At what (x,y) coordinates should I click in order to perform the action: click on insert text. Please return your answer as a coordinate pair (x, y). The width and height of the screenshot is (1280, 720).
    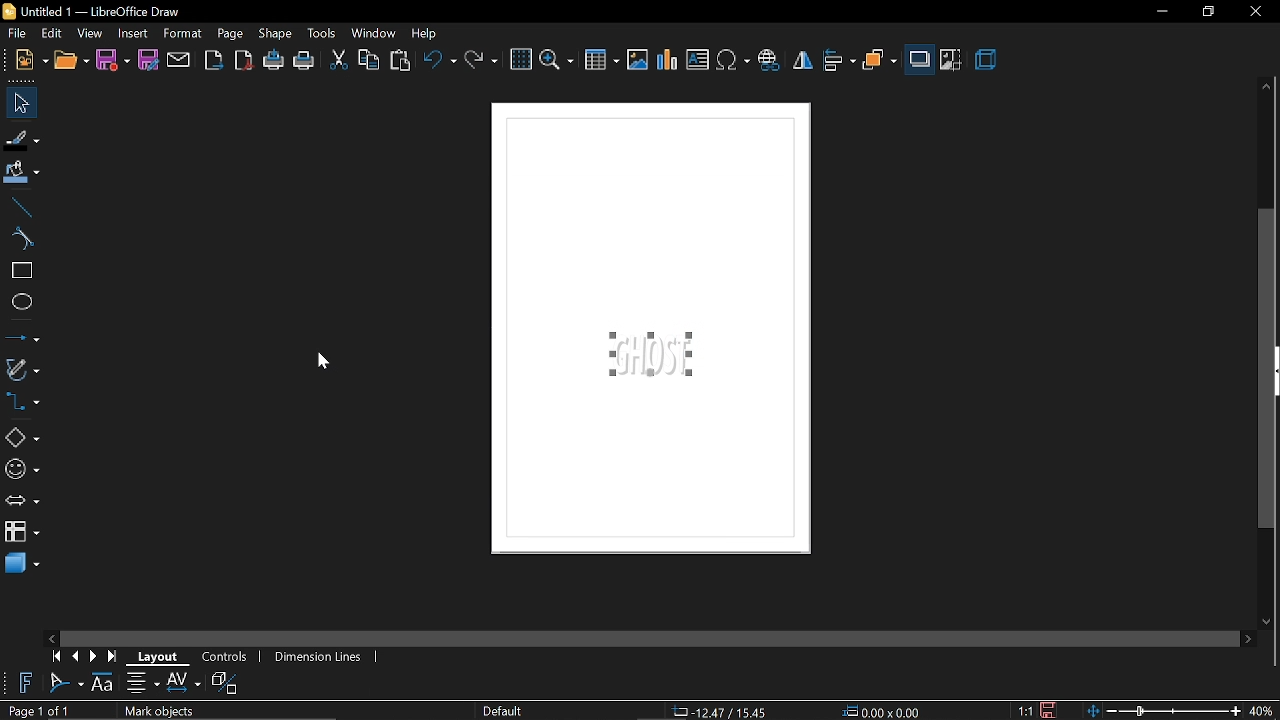
    Looking at the image, I should click on (699, 60).